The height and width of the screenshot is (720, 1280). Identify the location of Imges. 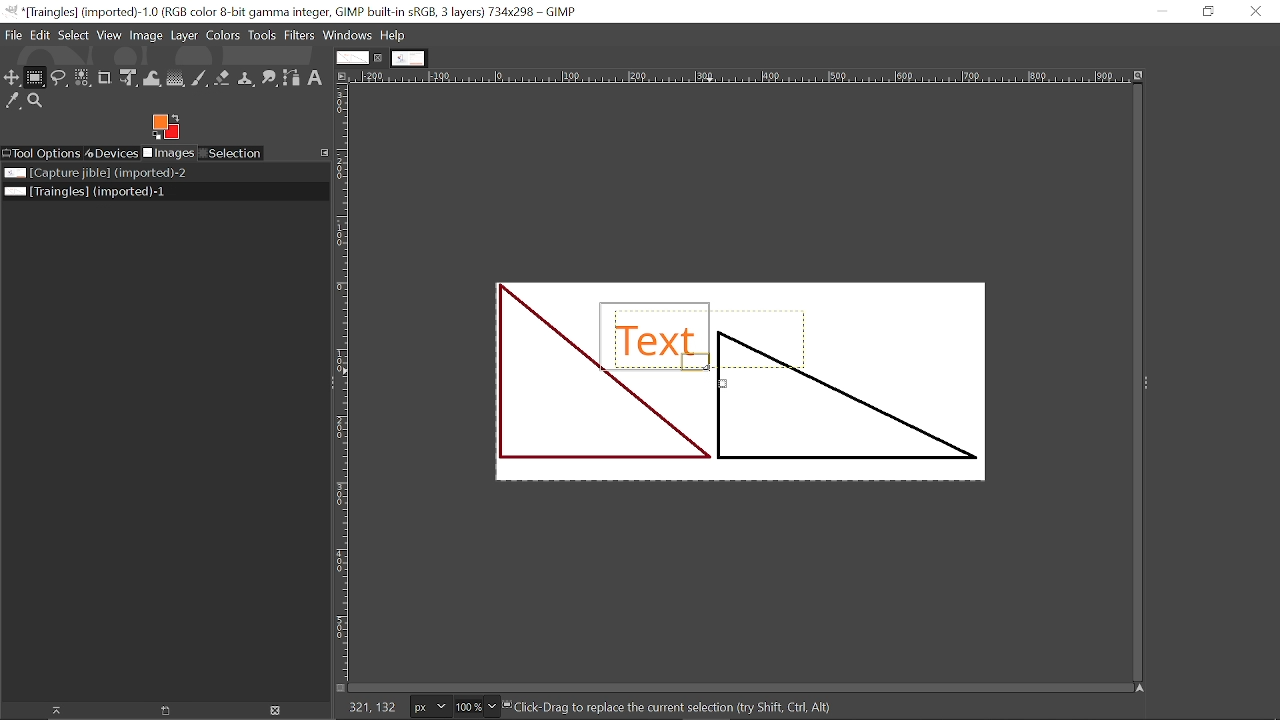
(168, 153).